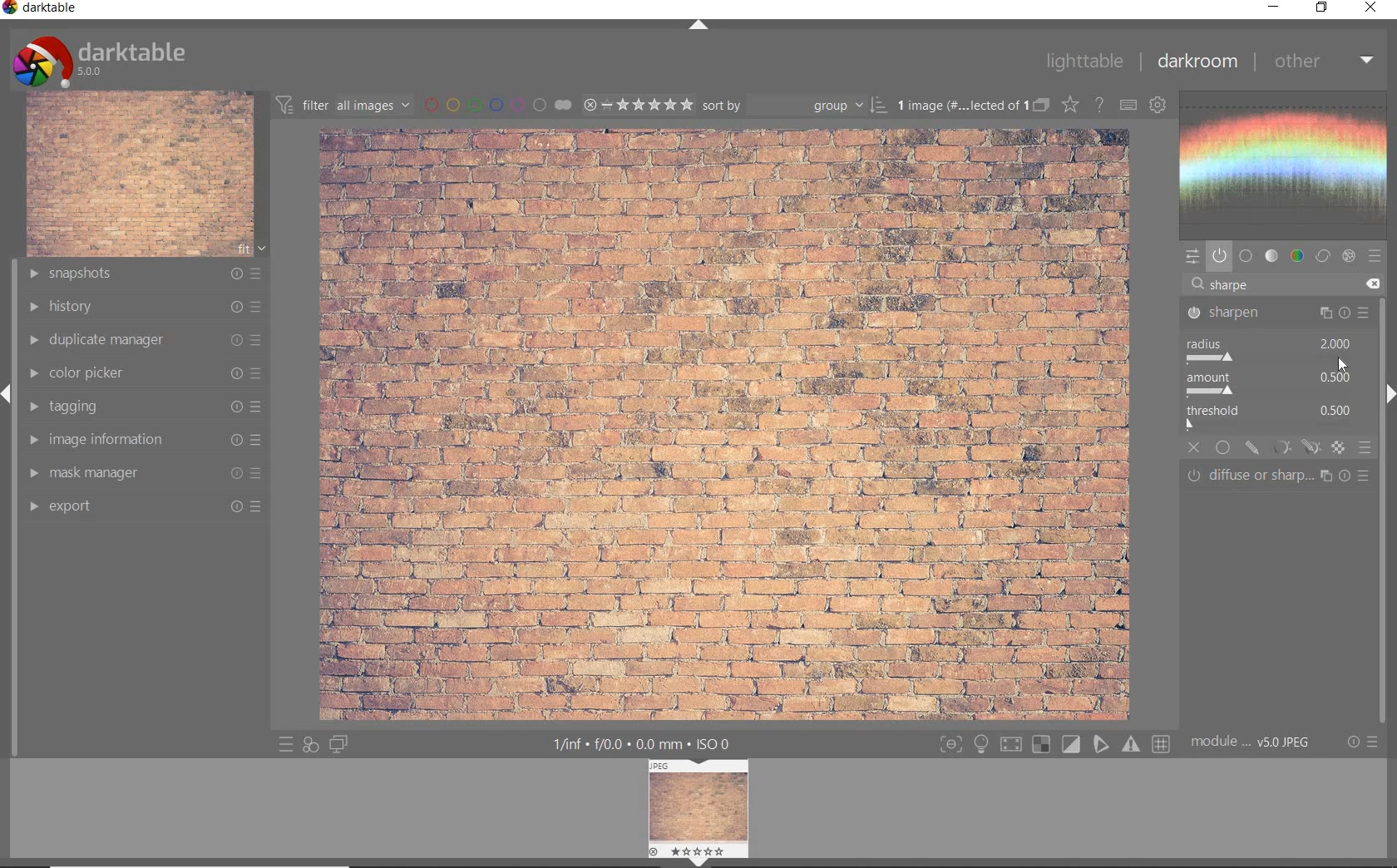  I want to click on tagging, so click(147, 407).